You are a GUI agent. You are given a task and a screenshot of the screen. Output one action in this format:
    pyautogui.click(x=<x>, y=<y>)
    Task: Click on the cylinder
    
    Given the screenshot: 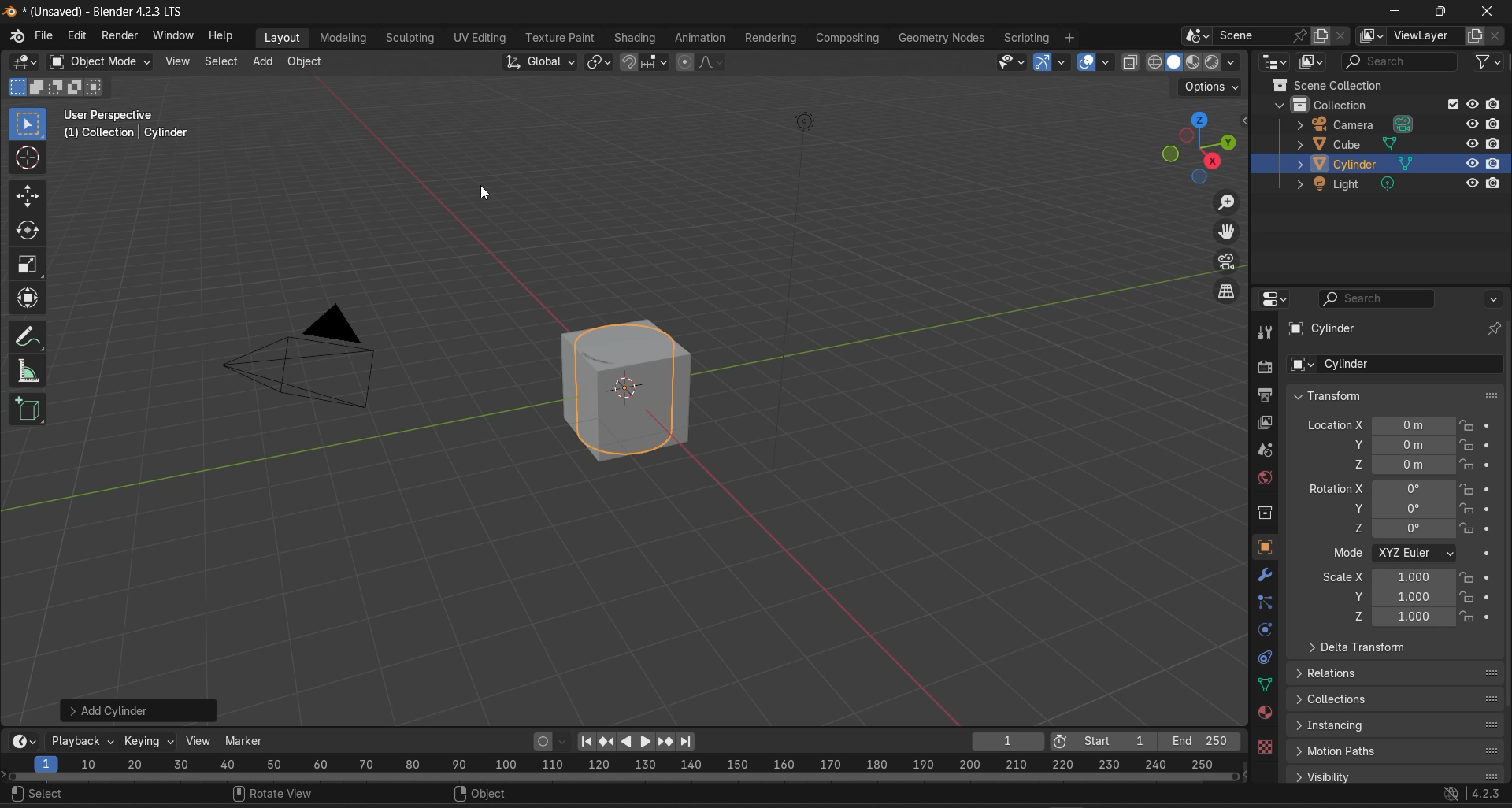 What is the action you would take?
    pyautogui.click(x=1355, y=163)
    